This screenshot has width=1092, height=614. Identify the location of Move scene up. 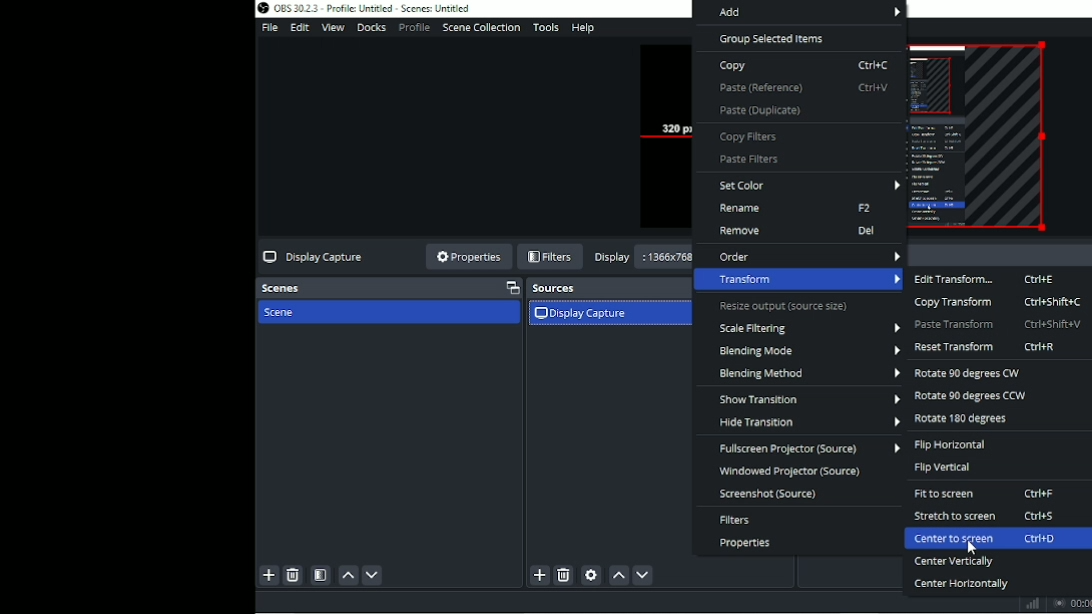
(347, 575).